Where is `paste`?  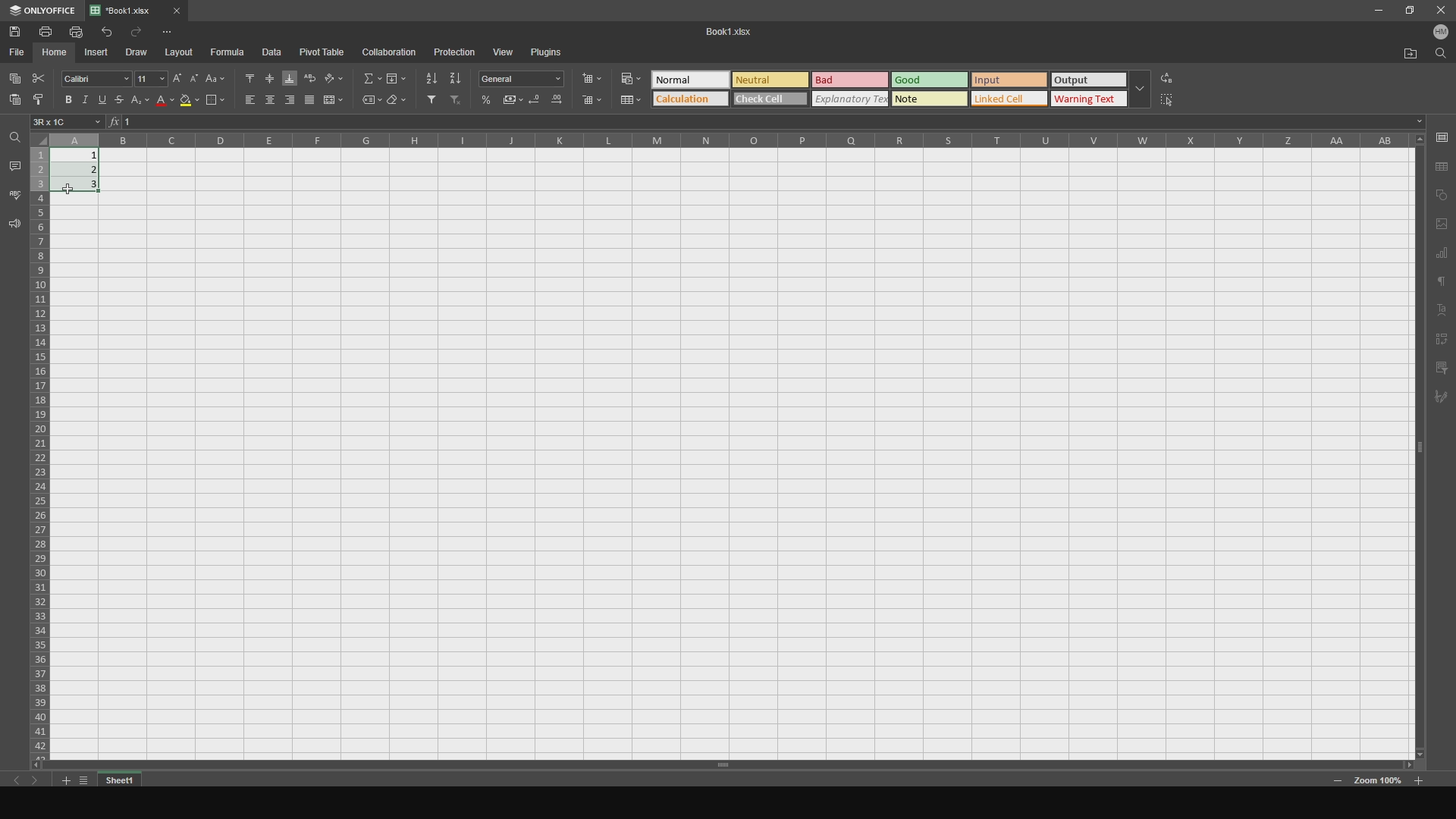
paste is located at coordinates (12, 104).